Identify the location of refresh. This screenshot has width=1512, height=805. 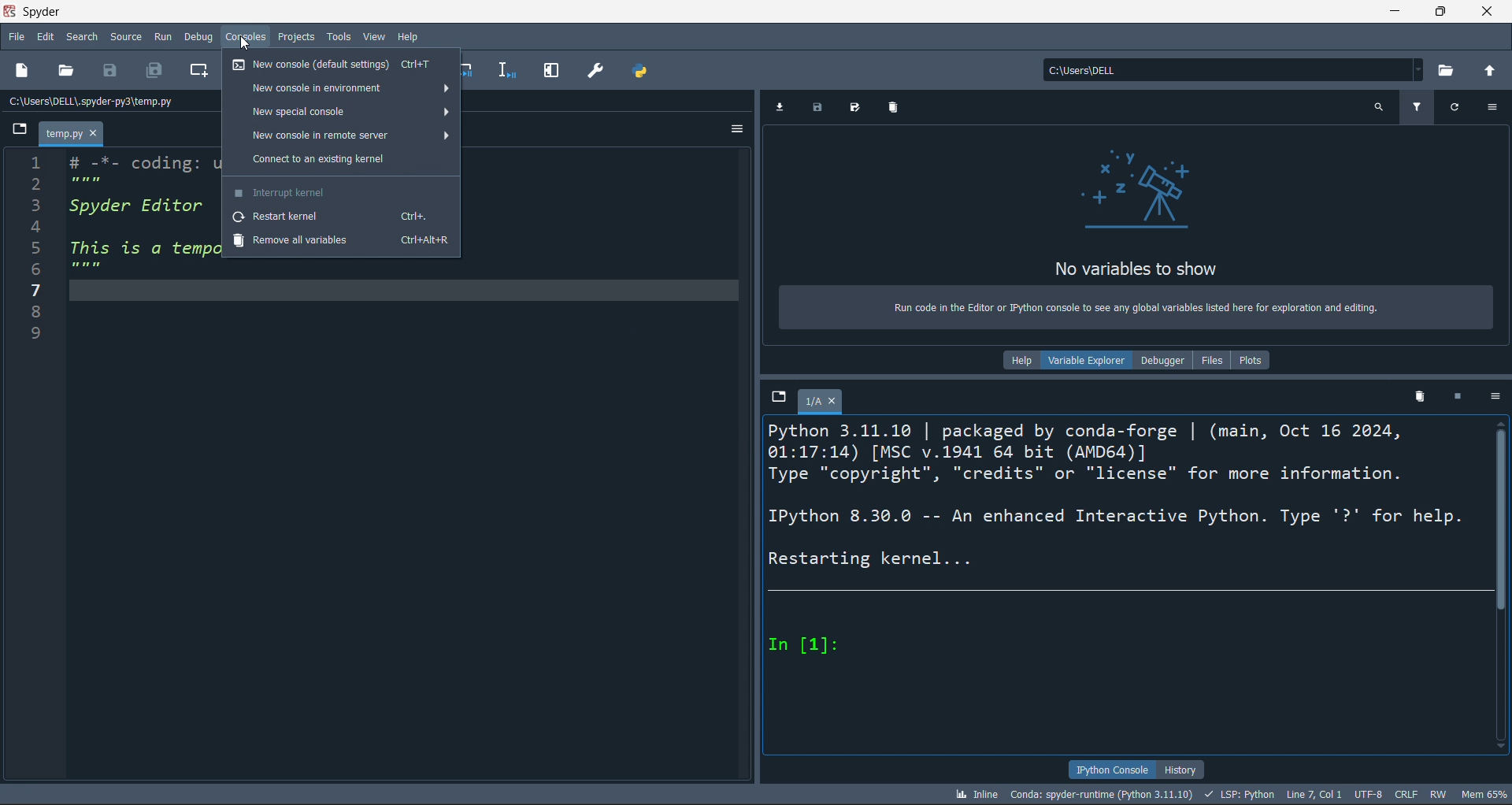
(1457, 108).